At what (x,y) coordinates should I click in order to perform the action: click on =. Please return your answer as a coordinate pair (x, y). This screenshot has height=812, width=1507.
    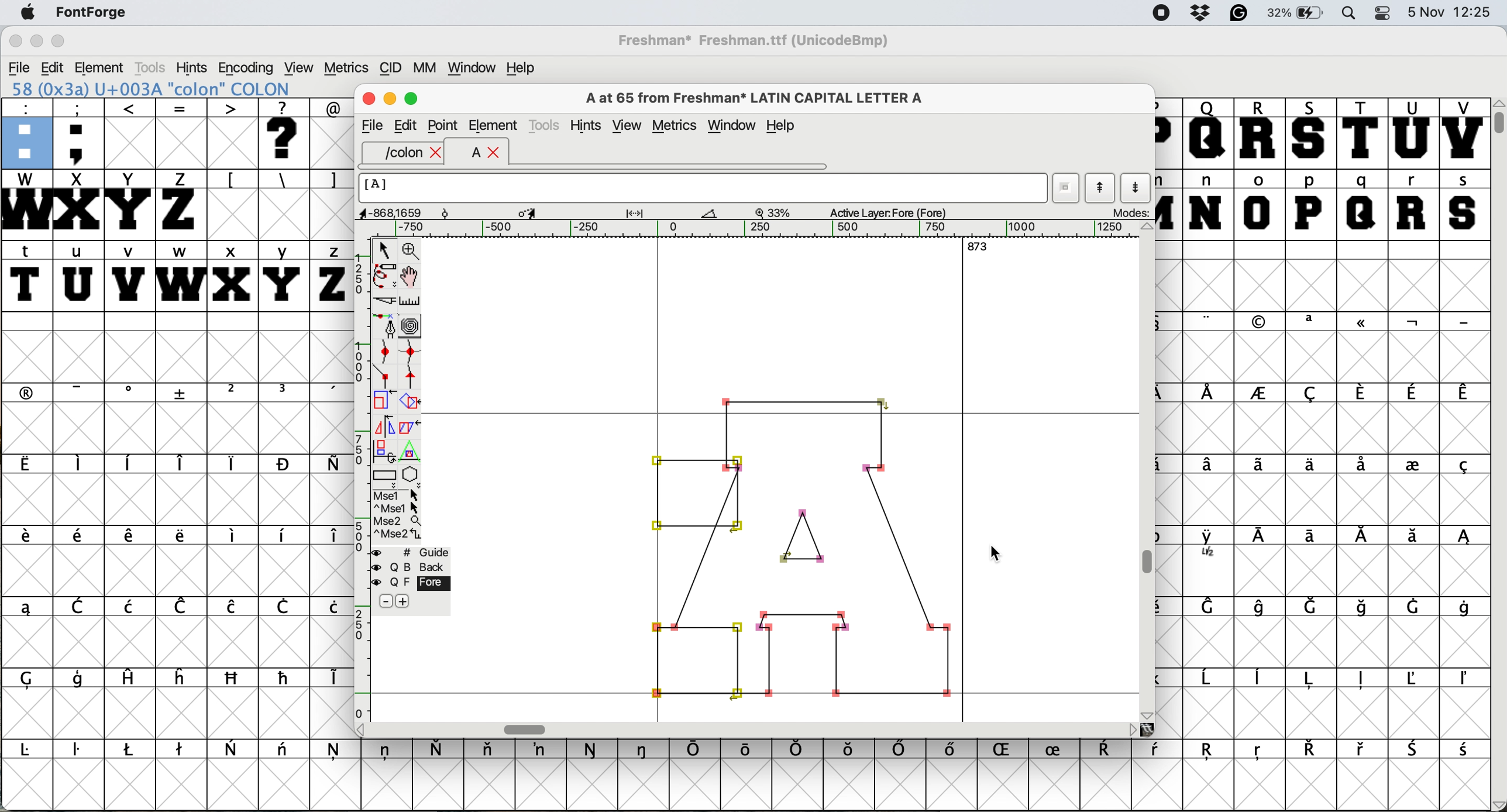
    Looking at the image, I should click on (180, 133).